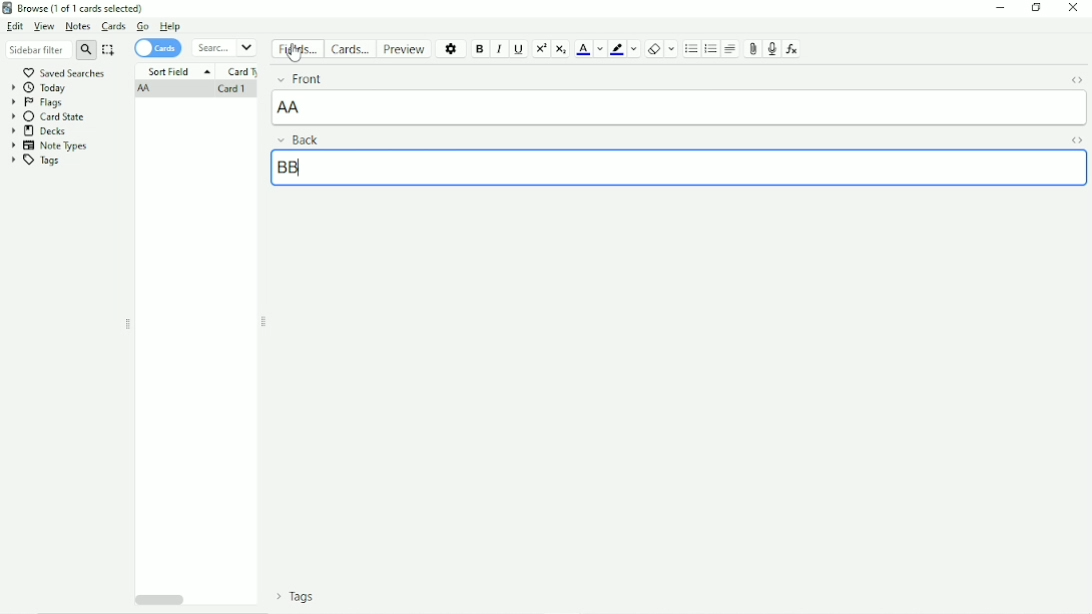 Image resolution: width=1092 pixels, height=614 pixels. I want to click on Sidebar filter, so click(51, 49).